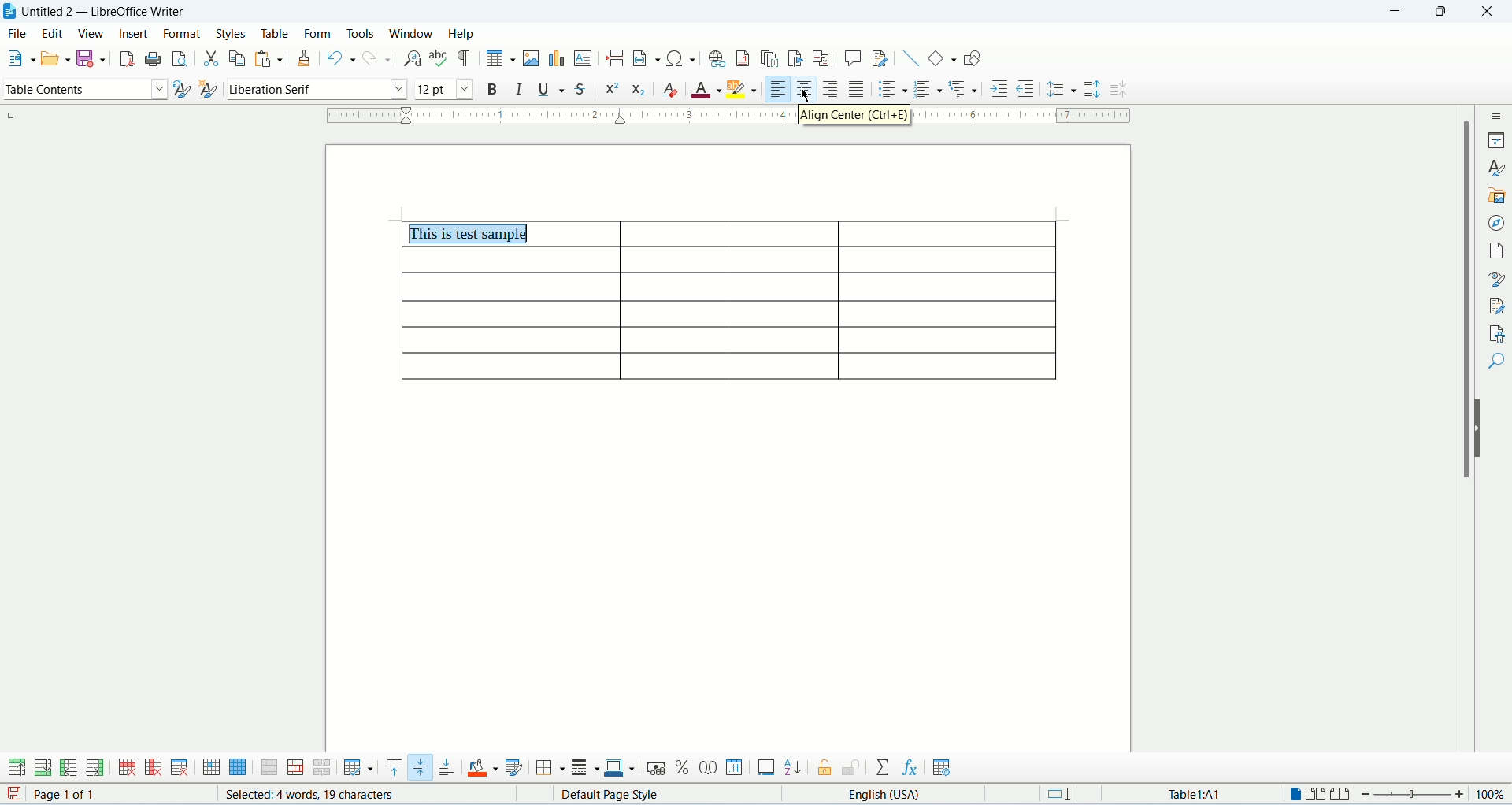 This screenshot has height=805, width=1512. I want to click on insert text box, so click(584, 59).